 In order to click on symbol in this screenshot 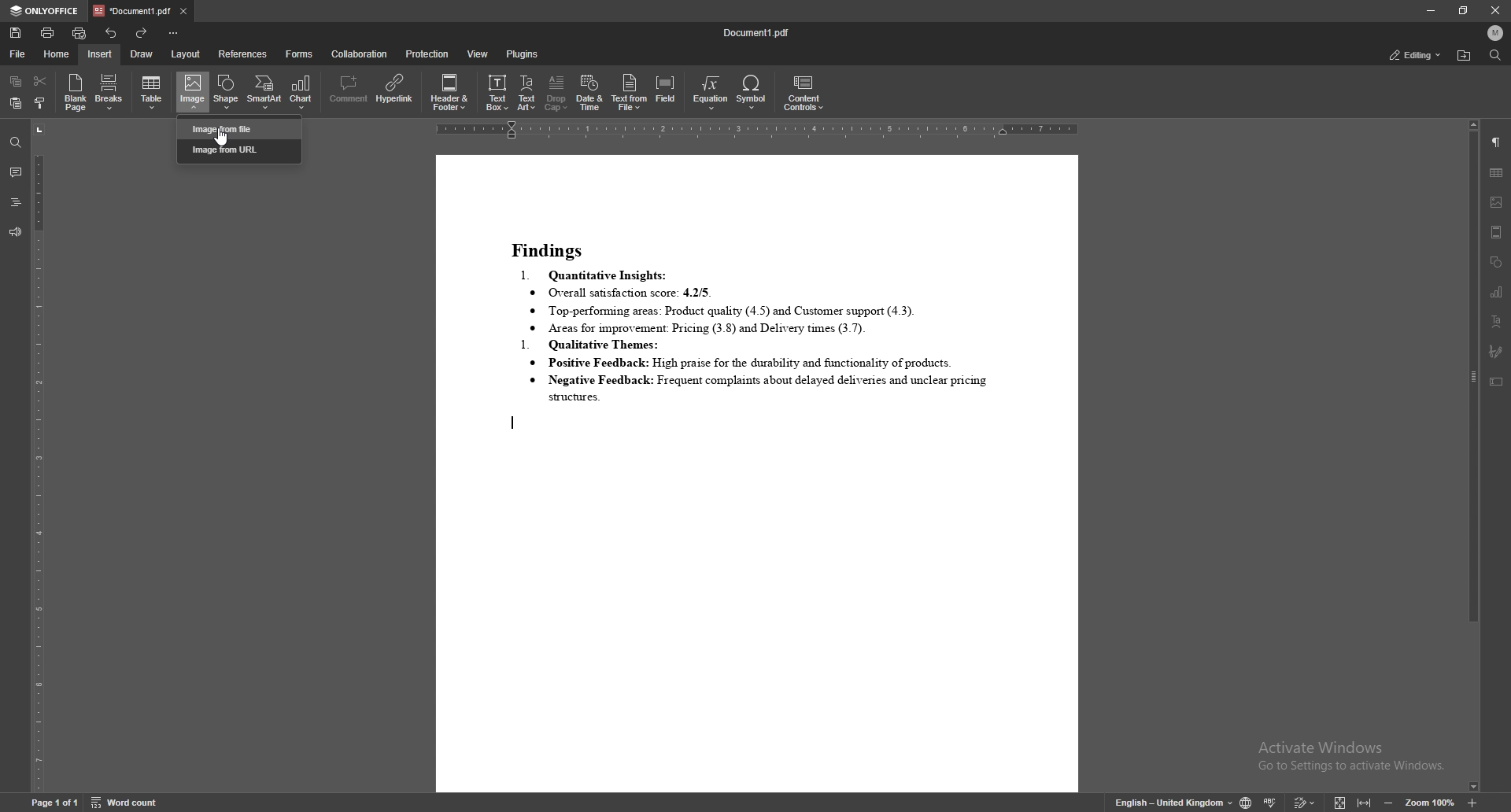, I will do `click(752, 92)`.